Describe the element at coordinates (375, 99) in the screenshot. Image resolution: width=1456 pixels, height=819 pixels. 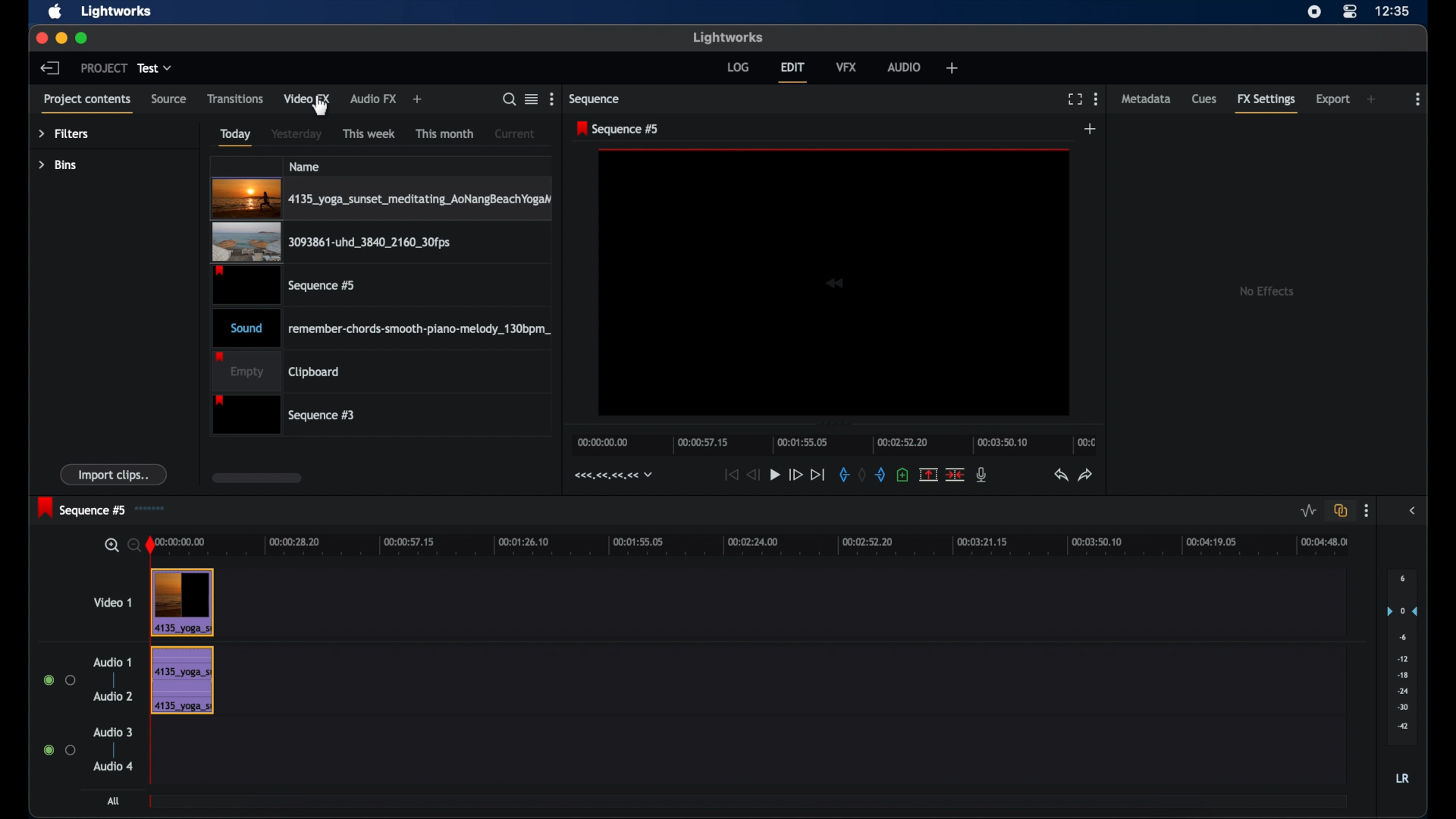
I see `audio fx` at that location.